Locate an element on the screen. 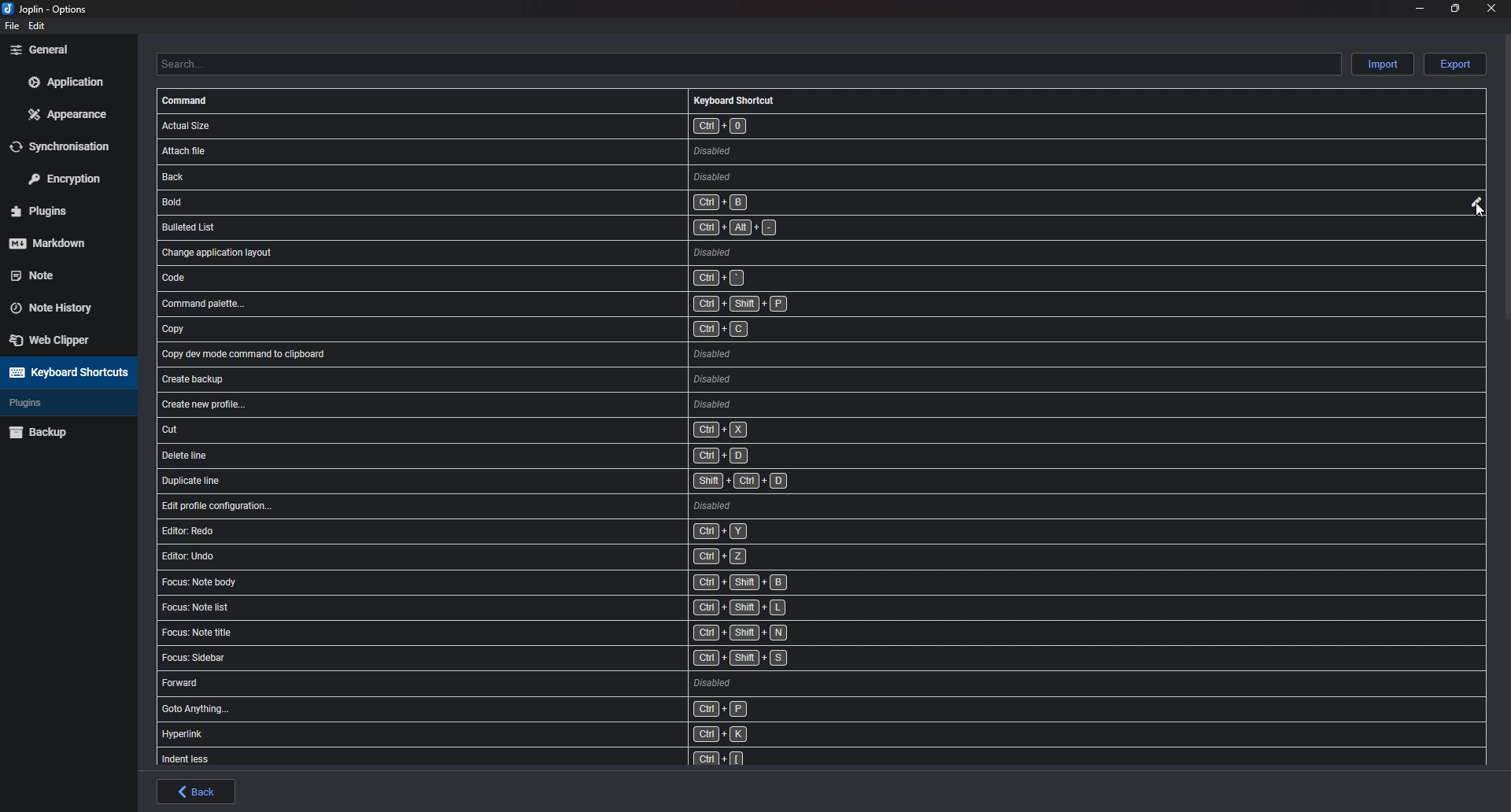 The height and width of the screenshot is (812, 1511). shortcut is located at coordinates (519, 687).